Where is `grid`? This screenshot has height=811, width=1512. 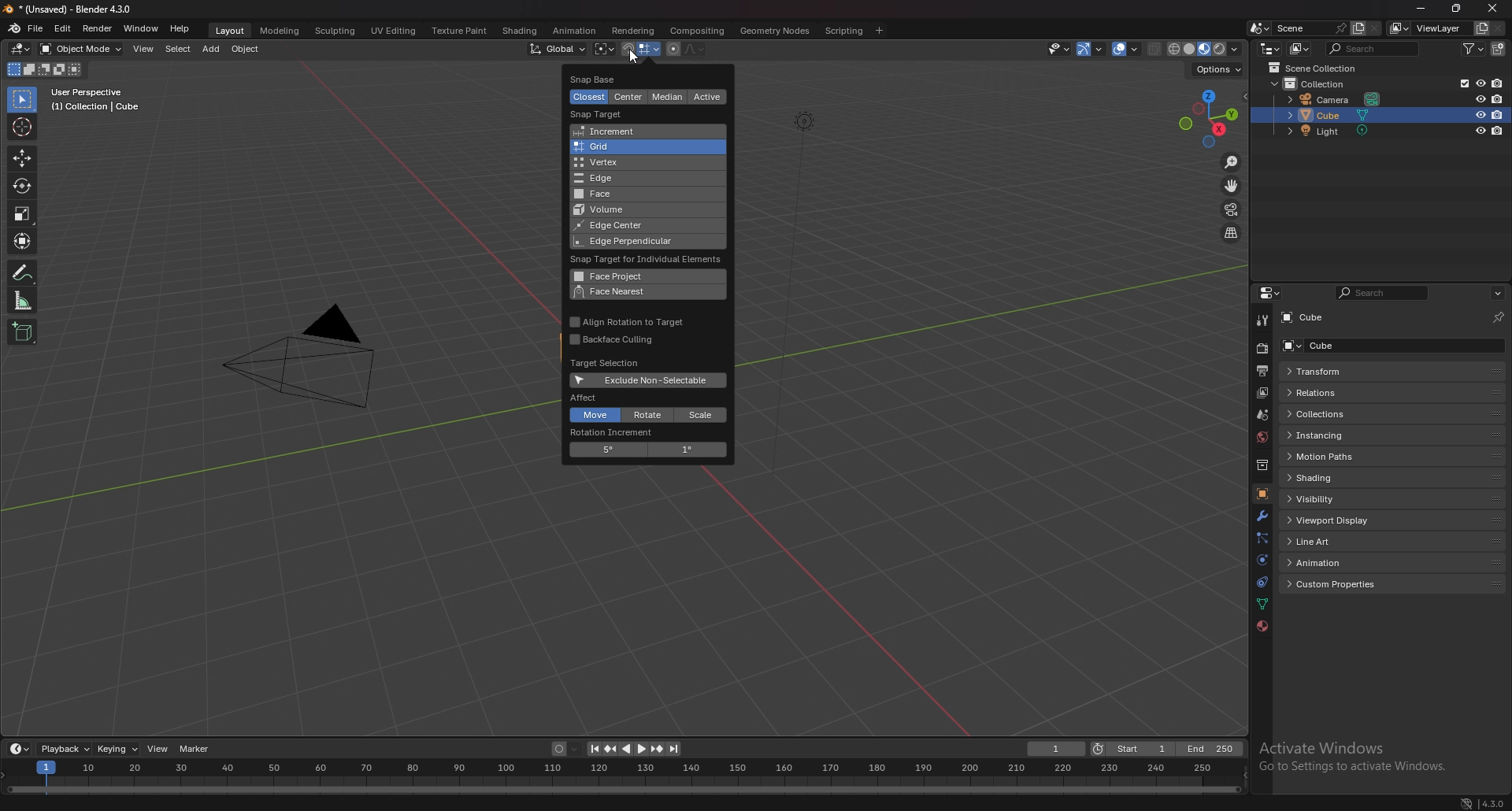 grid is located at coordinates (638, 147).